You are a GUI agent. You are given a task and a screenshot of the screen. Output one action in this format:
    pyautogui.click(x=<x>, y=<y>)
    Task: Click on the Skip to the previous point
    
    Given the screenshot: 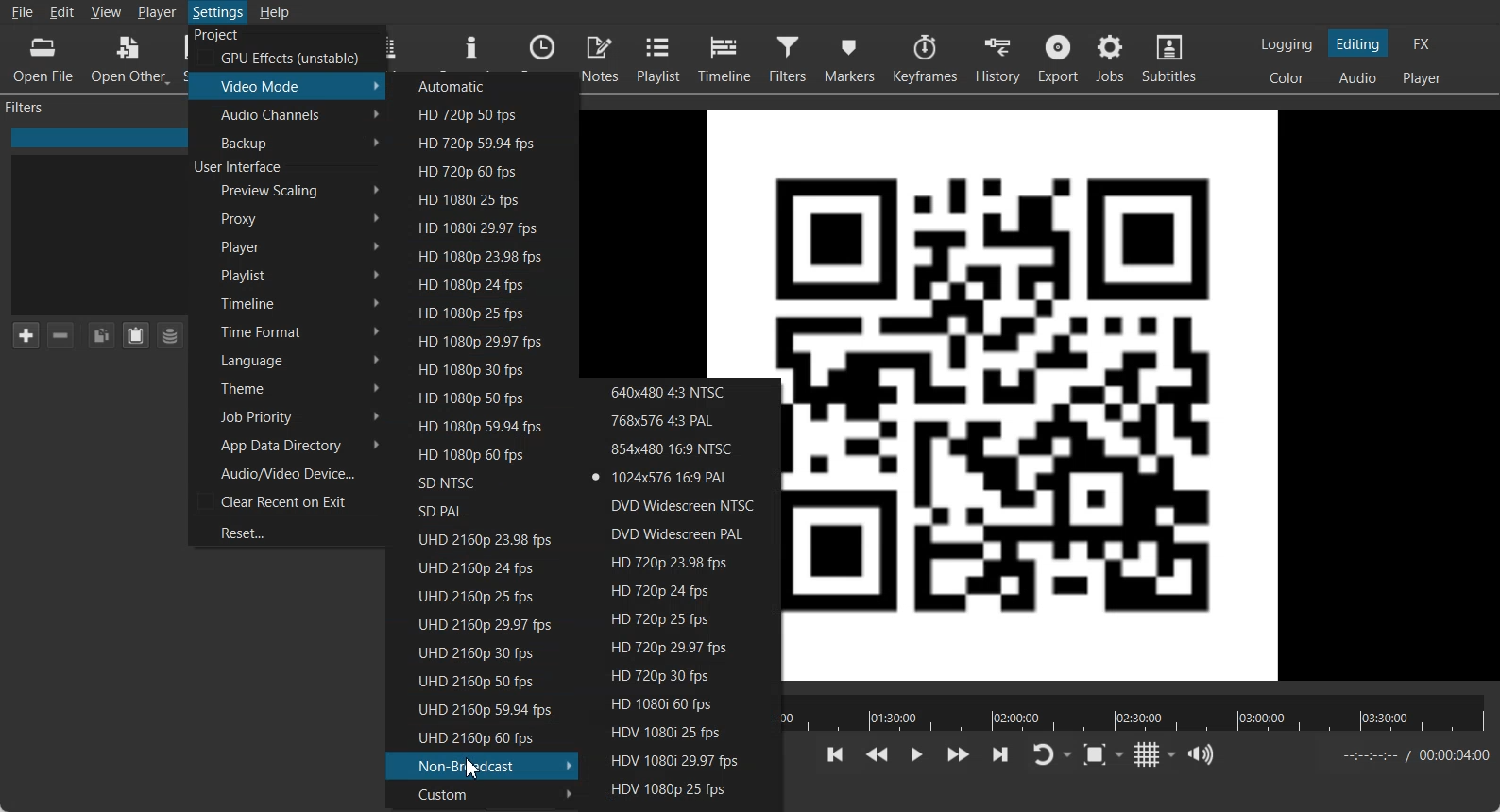 What is the action you would take?
    pyautogui.click(x=836, y=754)
    